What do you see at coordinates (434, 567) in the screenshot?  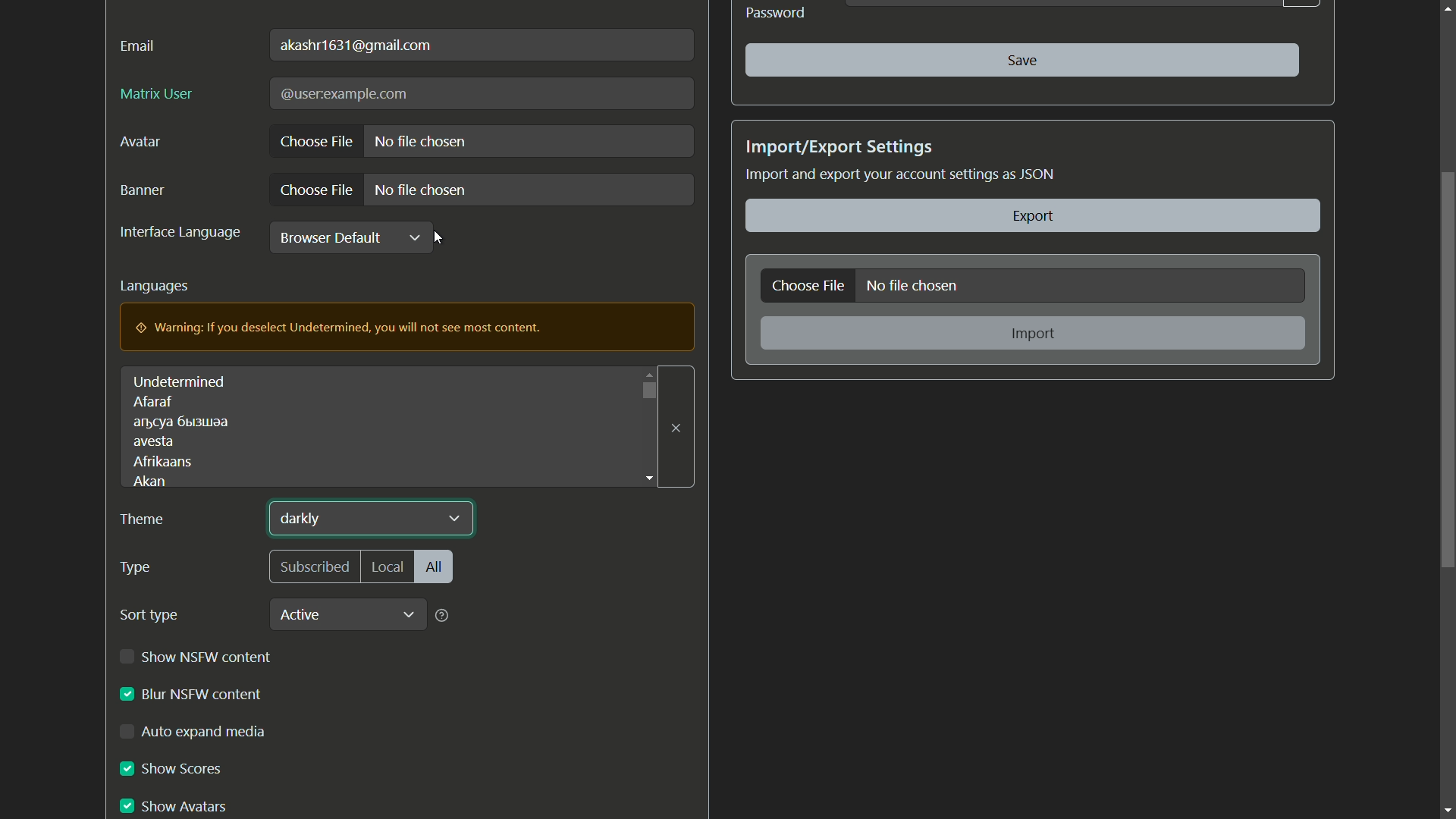 I see `all` at bounding box center [434, 567].